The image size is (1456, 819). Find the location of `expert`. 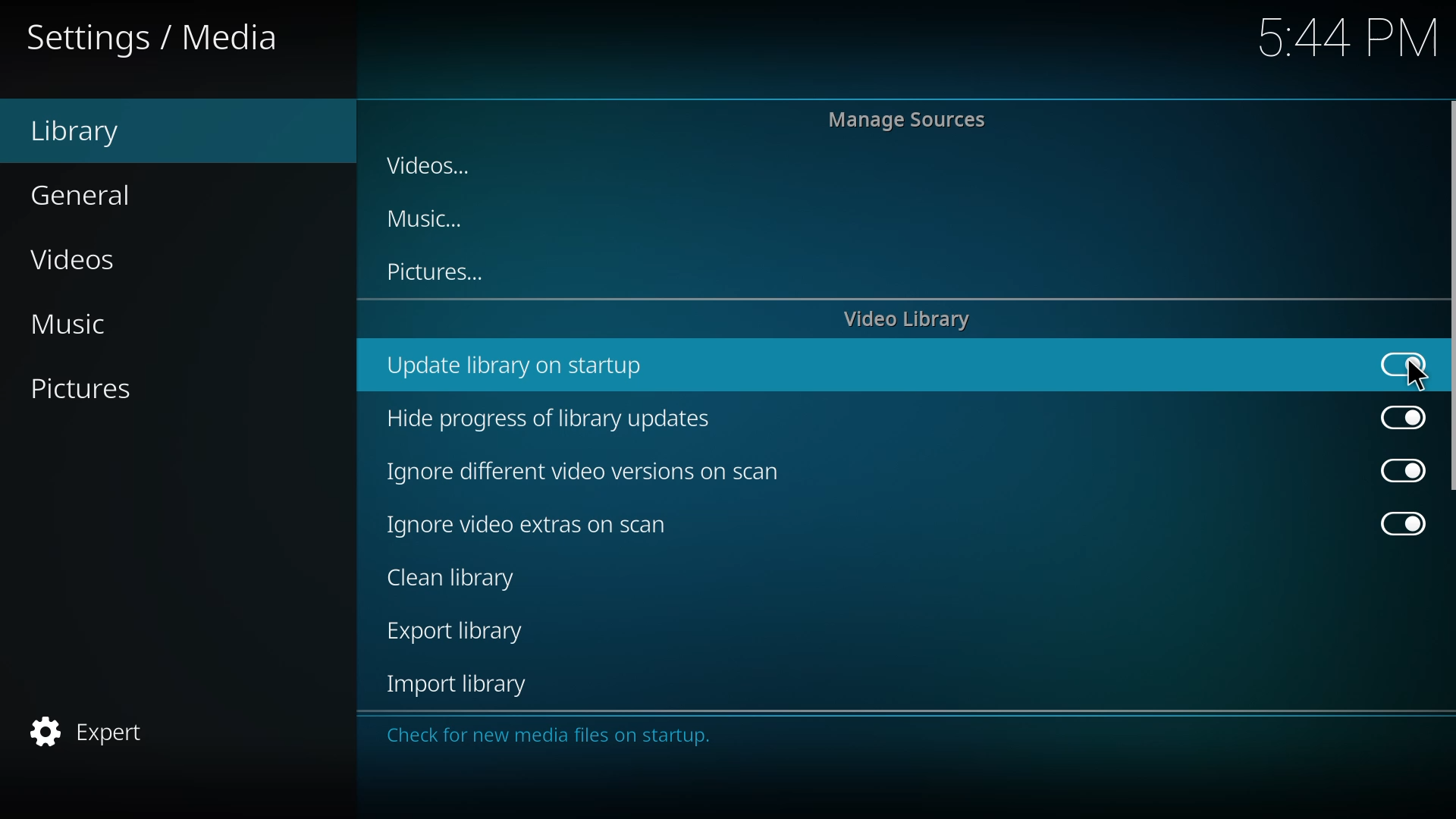

expert is located at coordinates (93, 733).